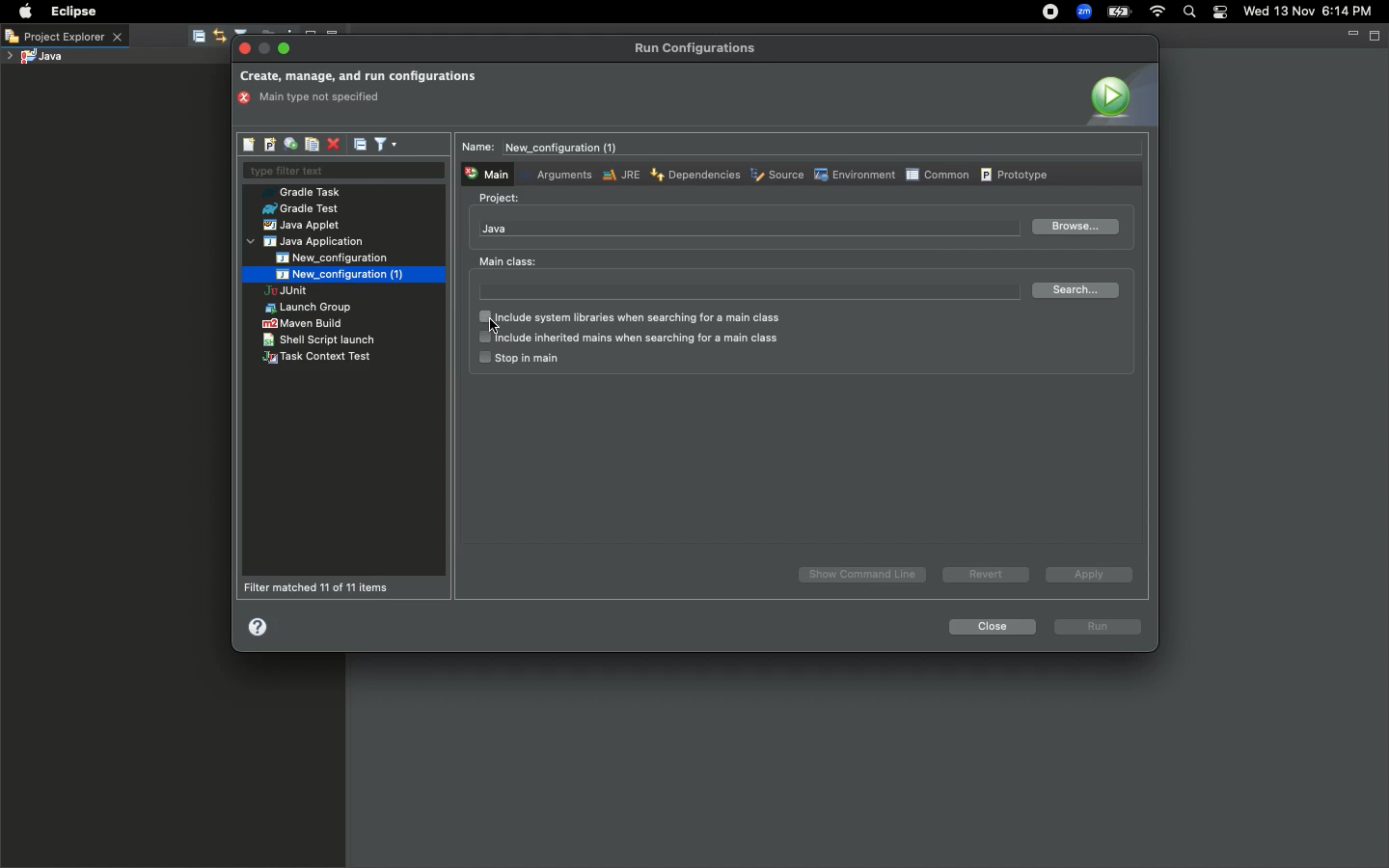 This screenshot has width=1389, height=868. I want to click on New launch configuration prototype, so click(268, 145).